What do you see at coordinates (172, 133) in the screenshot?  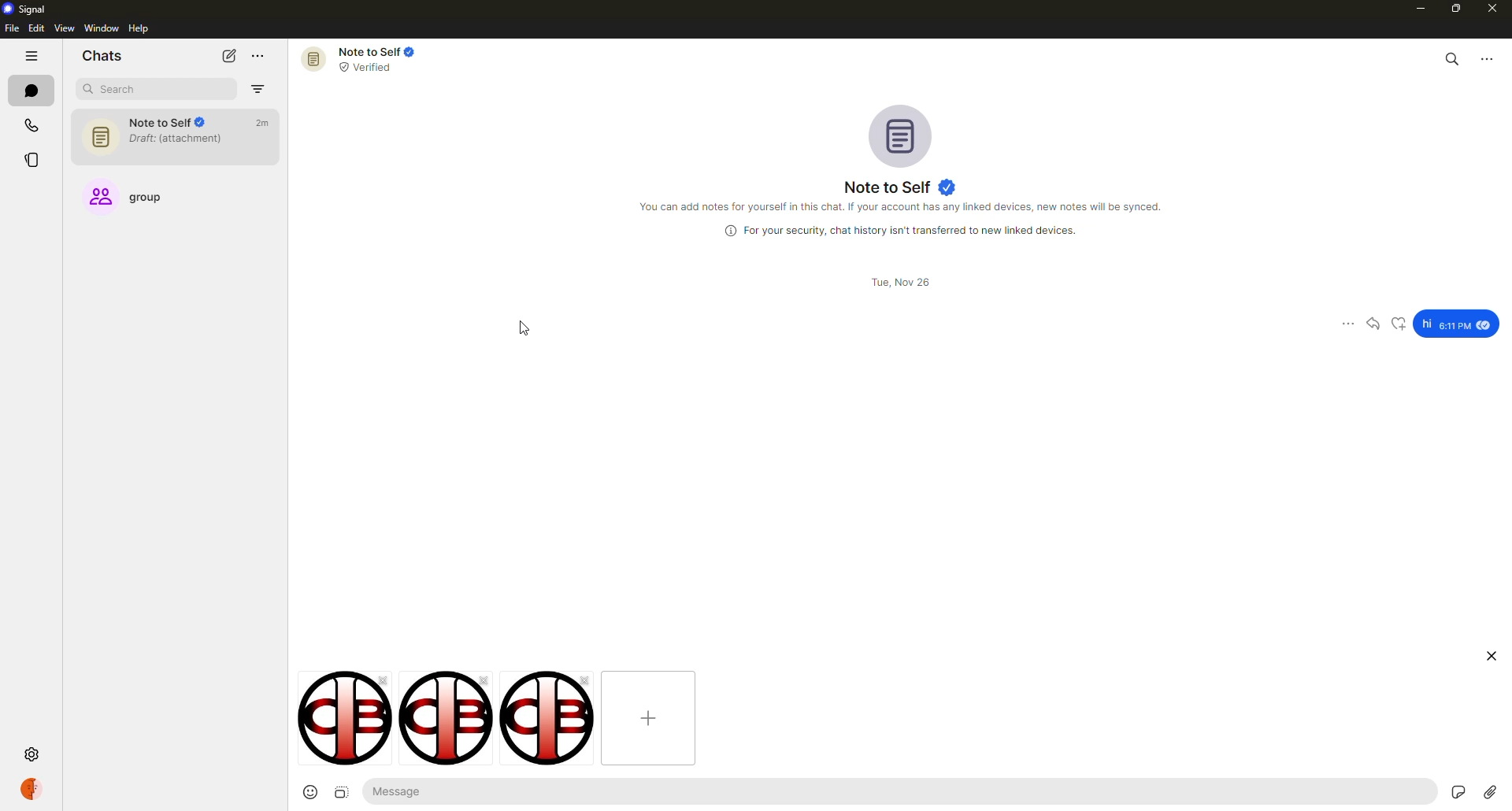 I see `note to self` at bounding box center [172, 133].